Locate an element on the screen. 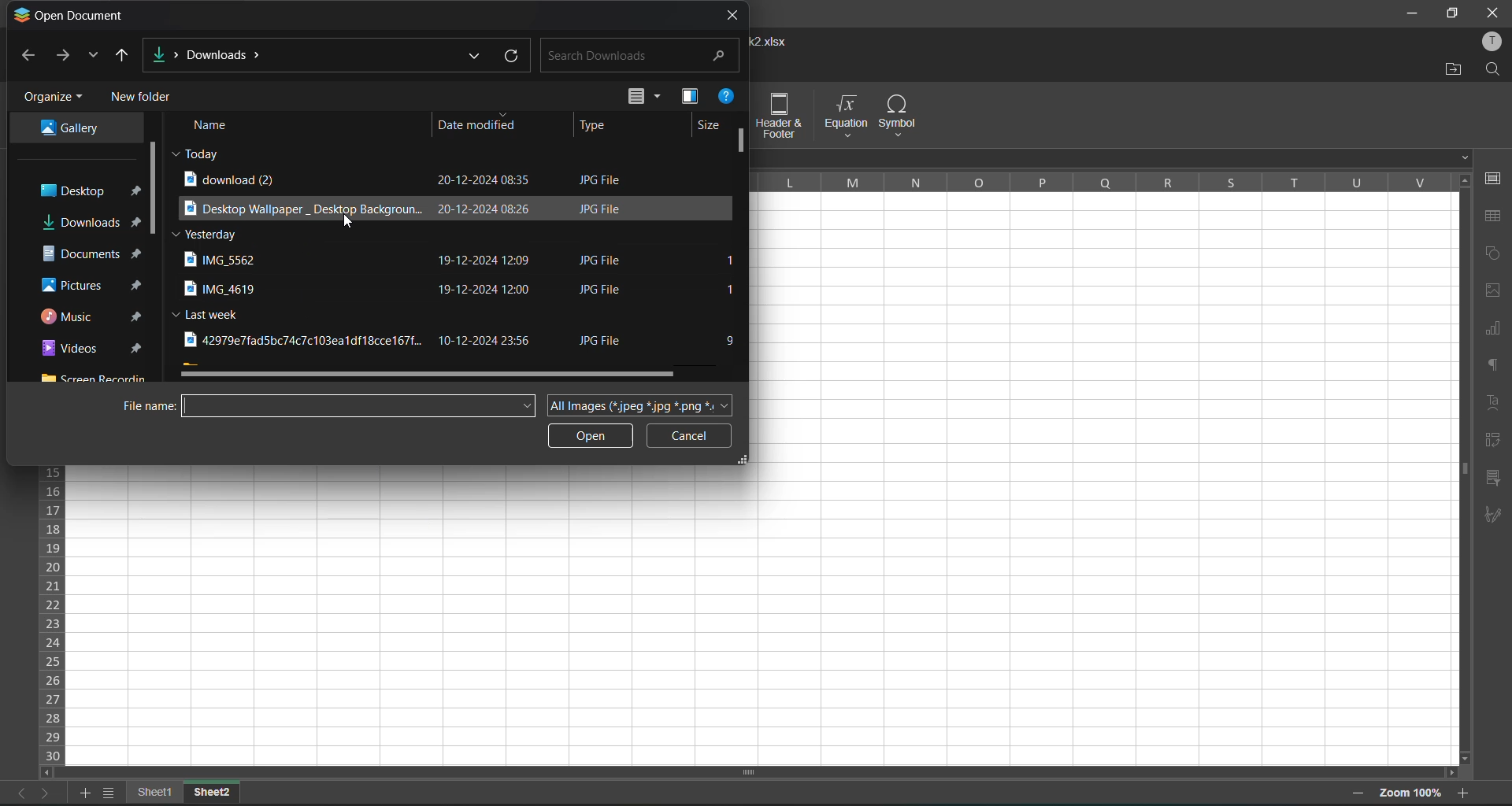 Image resolution: width=1512 pixels, height=806 pixels. 42979e7fad5bc74c7c103ealdf18cce167f.. 10-12-2024 23:56 JPG File is located at coordinates (413, 339).